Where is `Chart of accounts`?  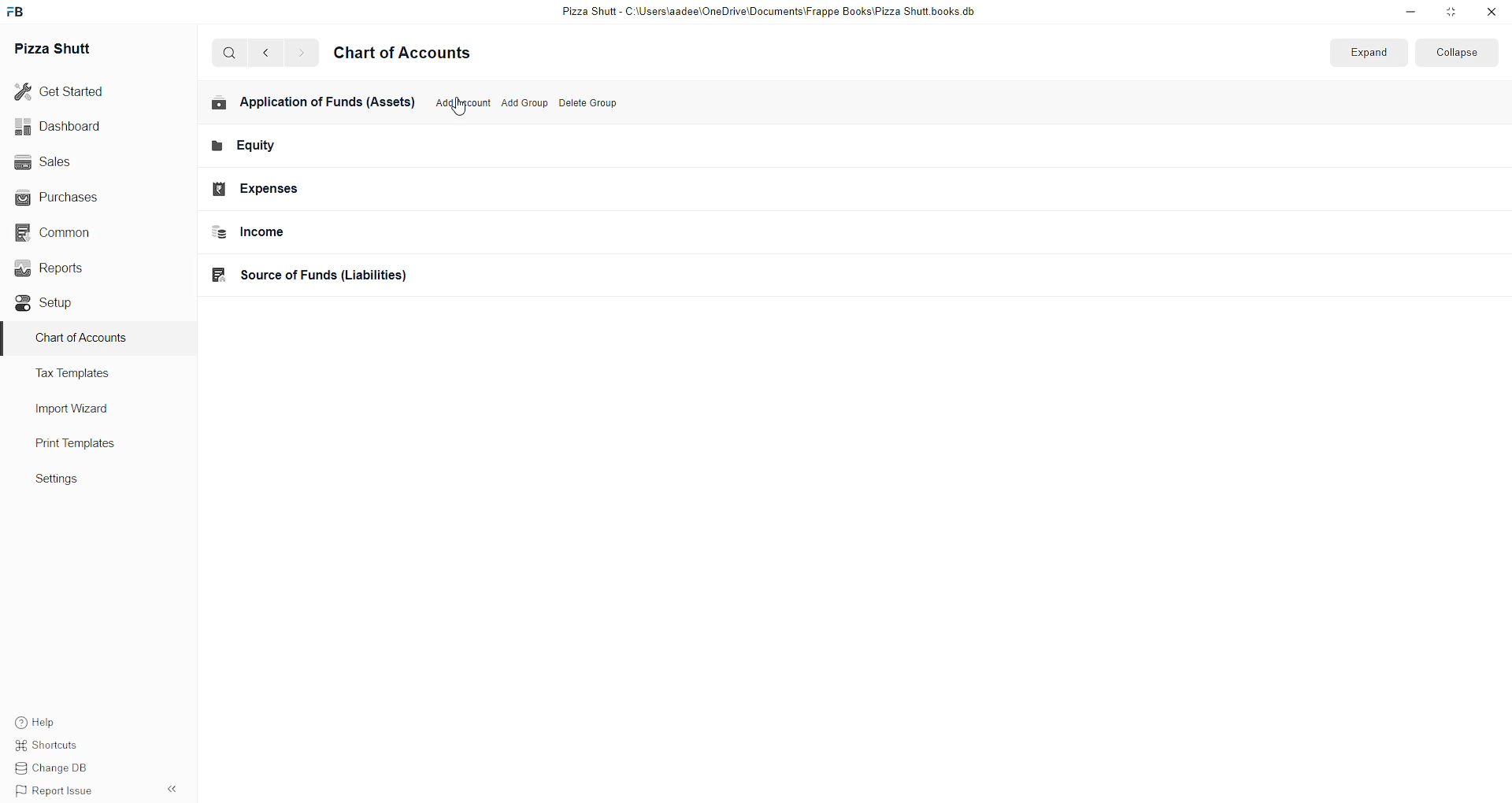
Chart of accounts is located at coordinates (413, 55).